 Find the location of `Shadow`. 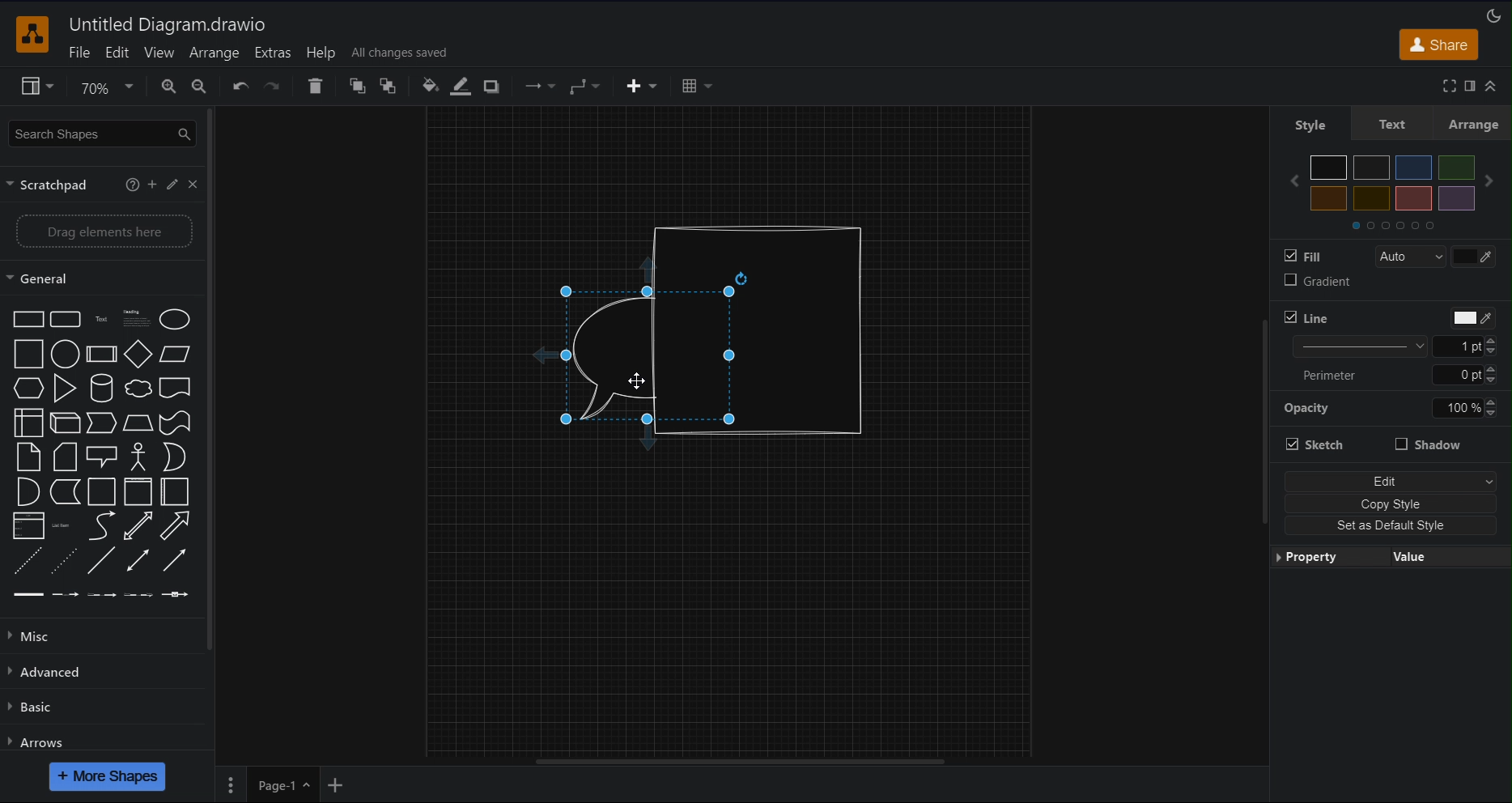

Shadow is located at coordinates (493, 86).